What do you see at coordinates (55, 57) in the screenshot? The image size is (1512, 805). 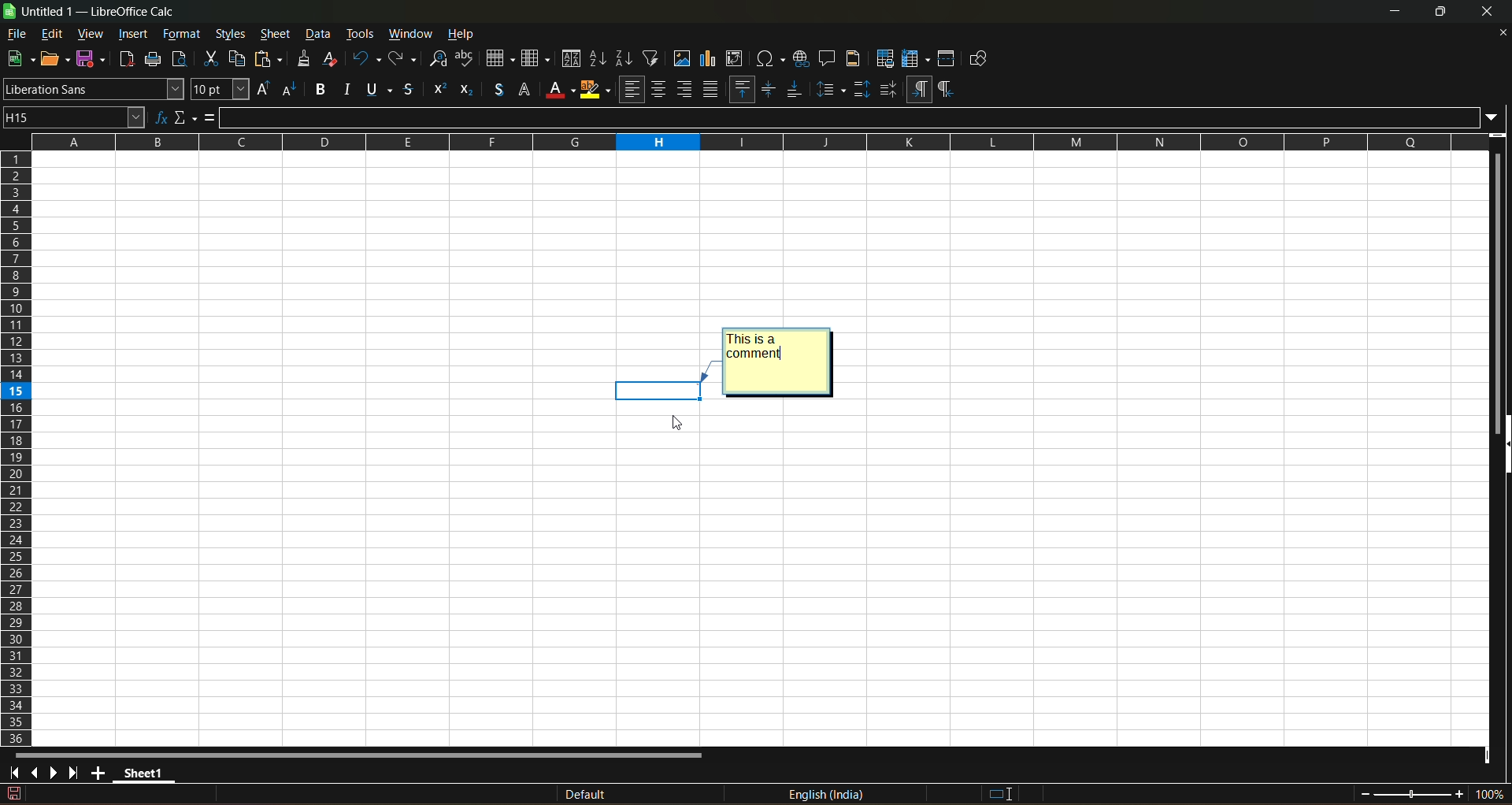 I see `open` at bounding box center [55, 57].